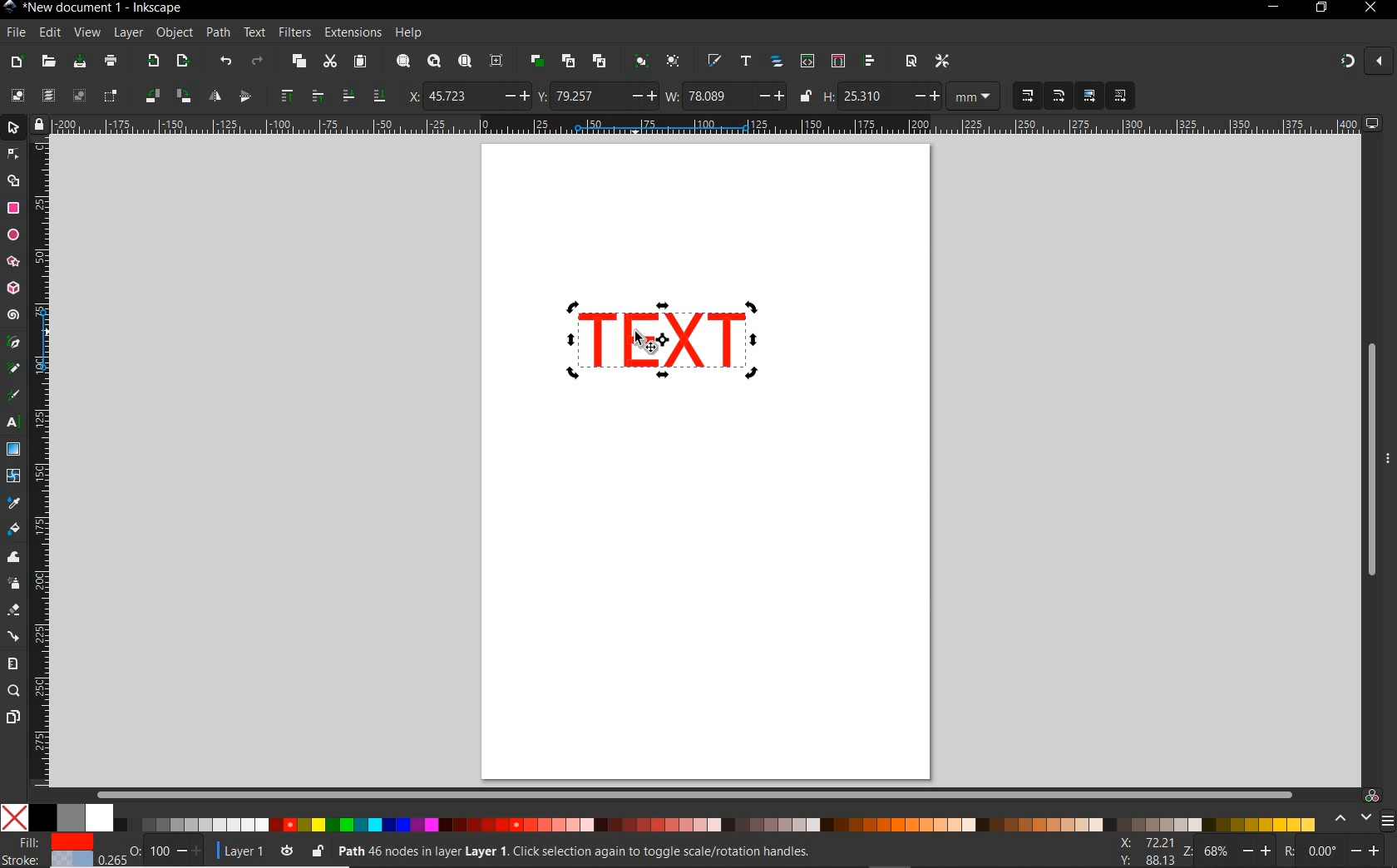 The height and width of the screenshot is (868, 1397). What do you see at coordinates (15, 475) in the screenshot?
I see `MESH TOOL` at bounding box center [15, 475].